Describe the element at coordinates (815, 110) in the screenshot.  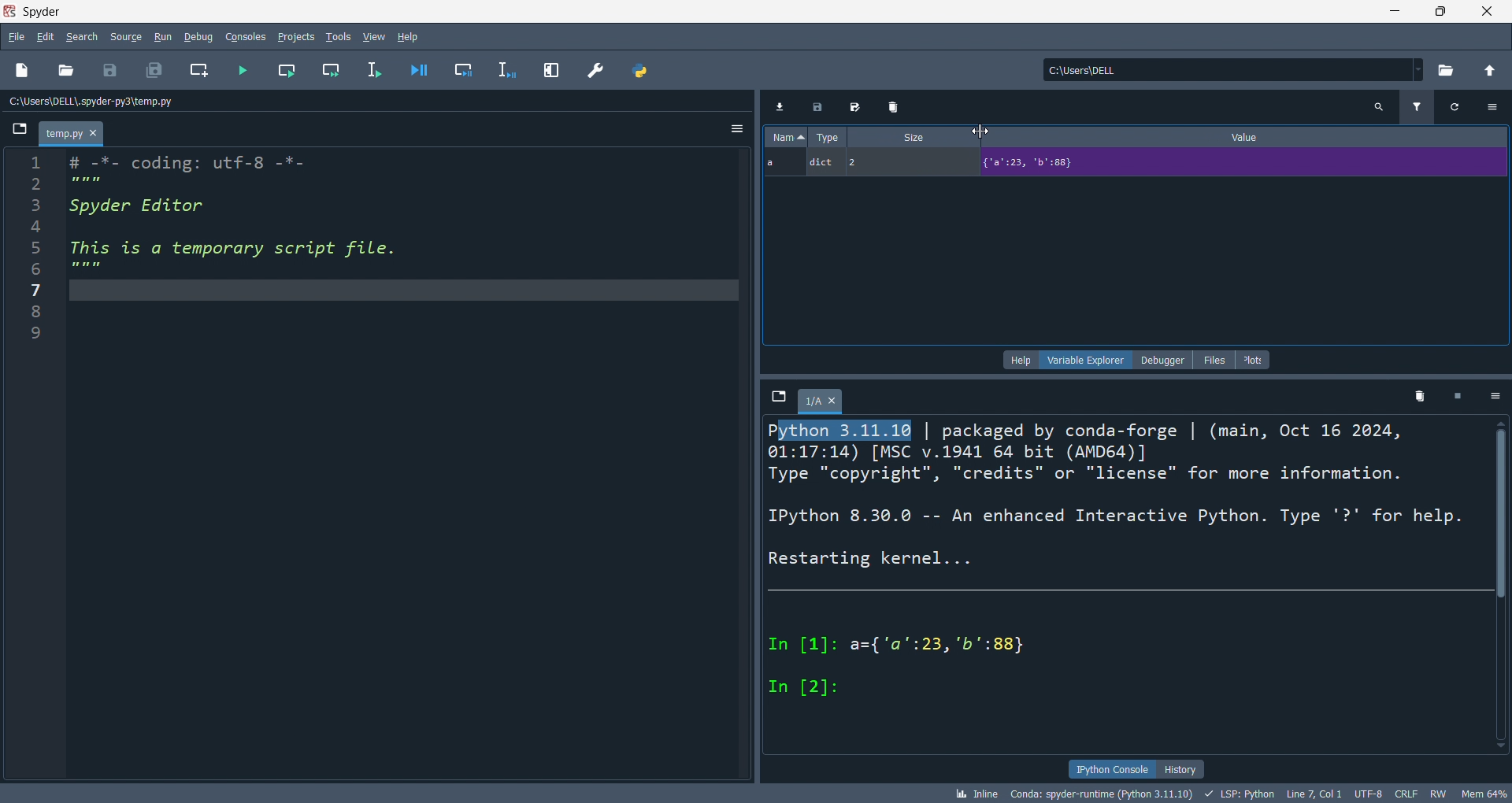
I see `save data` at that location.